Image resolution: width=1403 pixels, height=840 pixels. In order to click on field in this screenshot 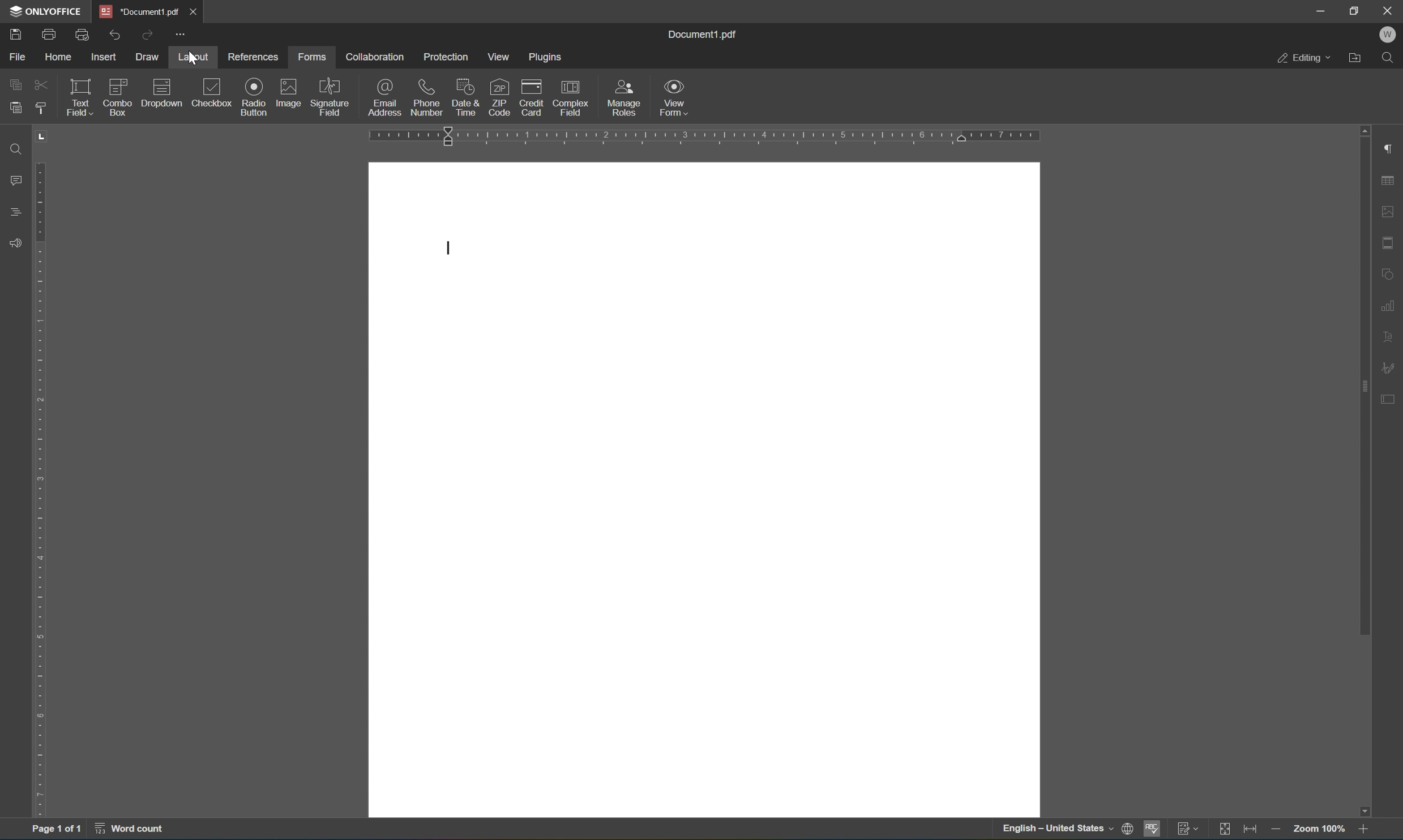, I will do `click(41, 85)`.